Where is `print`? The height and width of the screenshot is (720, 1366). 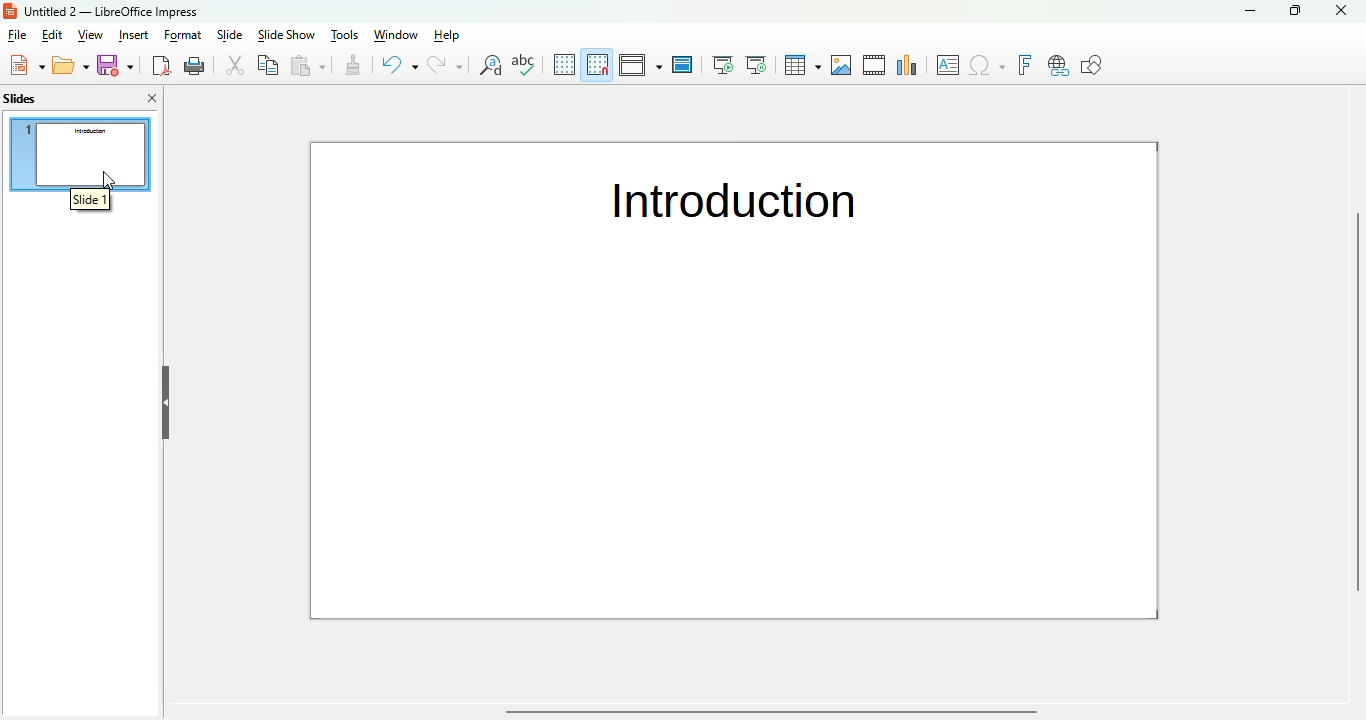 print is located at coordinates (195, 66).